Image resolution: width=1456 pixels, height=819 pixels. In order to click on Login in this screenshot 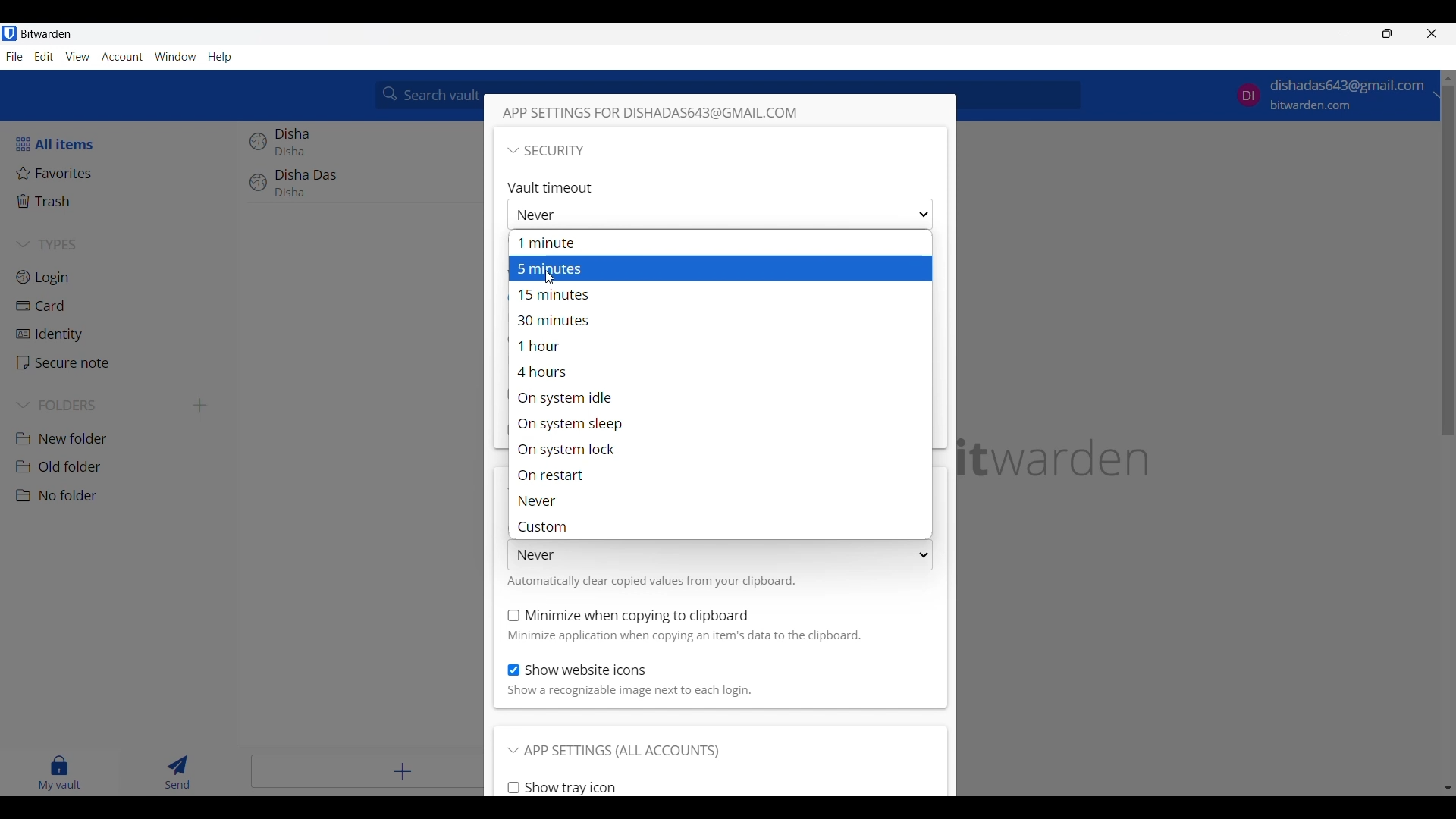, I will do `click(122, 277)`.